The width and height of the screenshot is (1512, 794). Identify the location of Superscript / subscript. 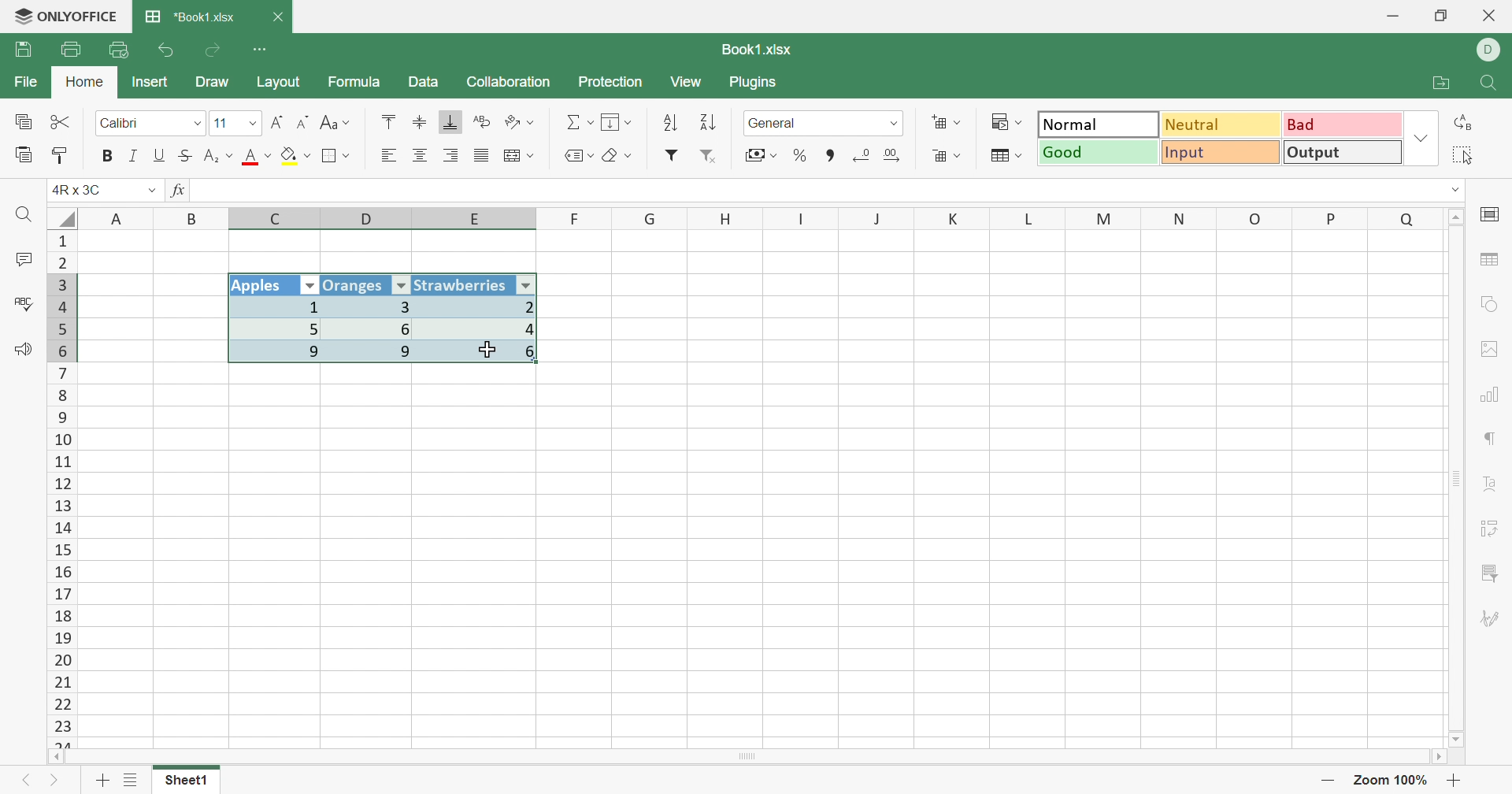
(220, 157).